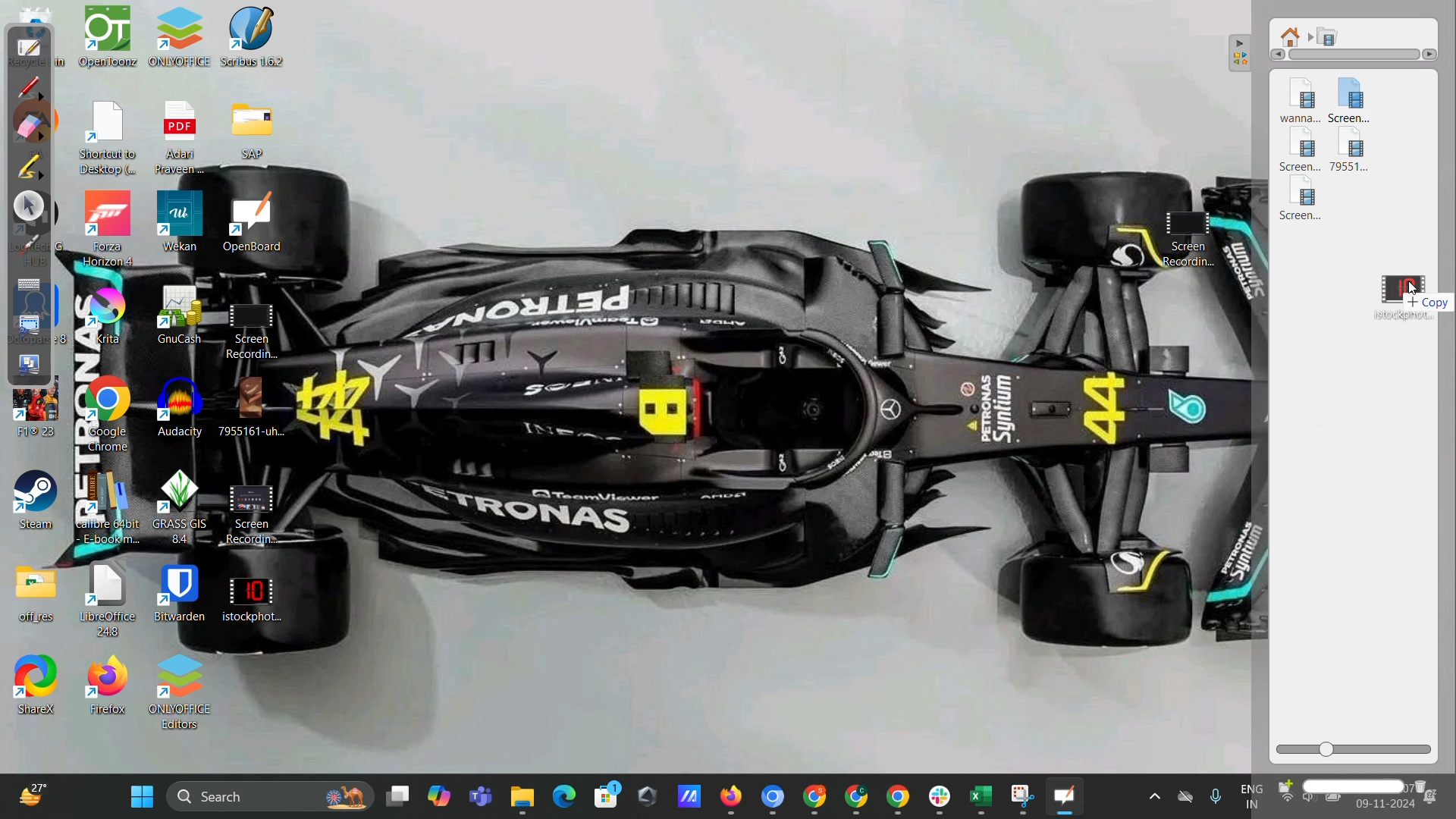  What do you see at coordinates (29, 795) in the screenshot?
I see `weather shortcut` at bounding box center [29, 795].